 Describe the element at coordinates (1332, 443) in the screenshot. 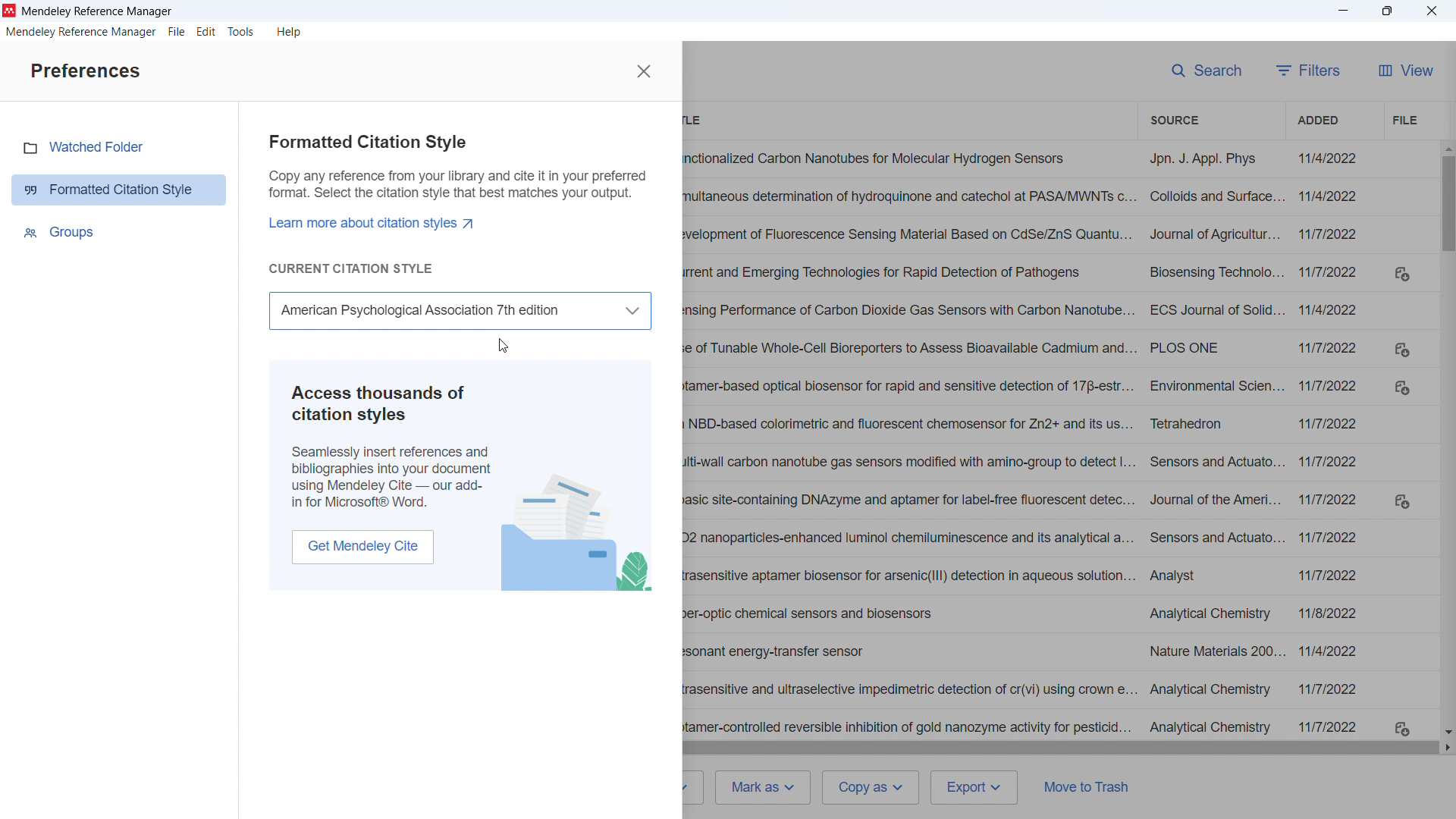

I see `Date of addition of individual entries` at that location.